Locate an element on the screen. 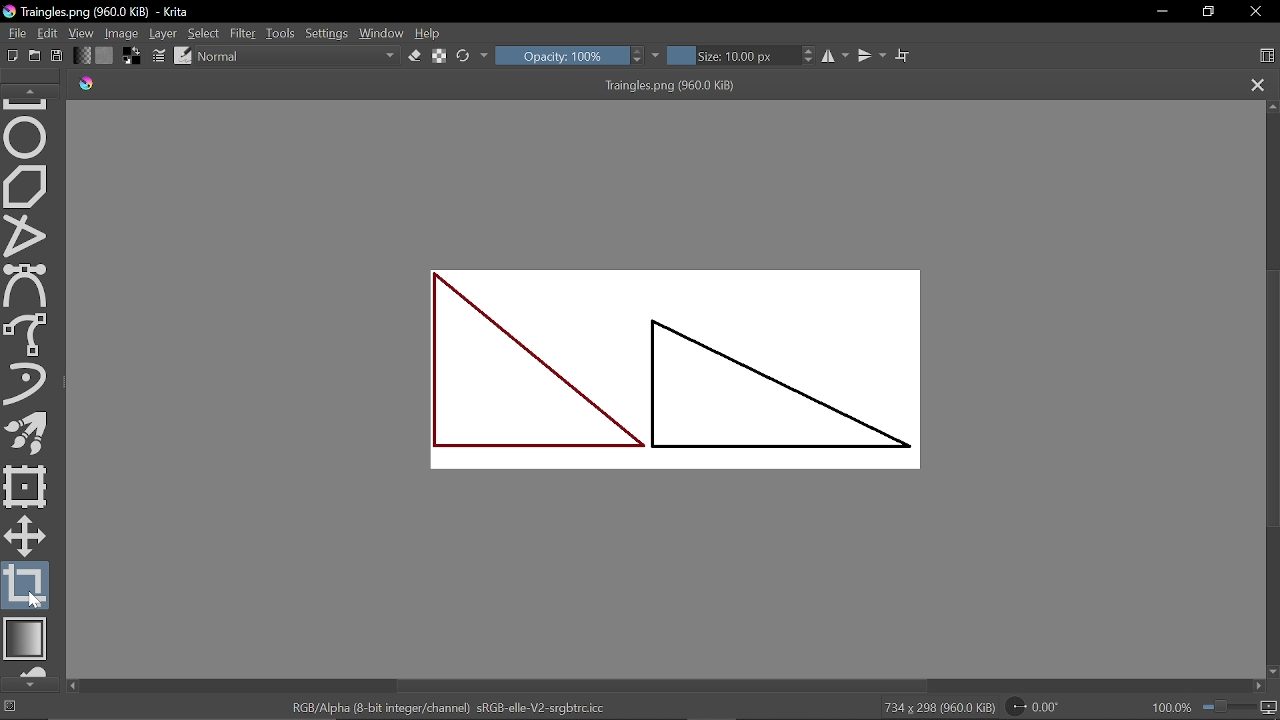 The width and height of the screenshot is (1280, 720). Dynamic brush tool is located at coordinates (26, 383).